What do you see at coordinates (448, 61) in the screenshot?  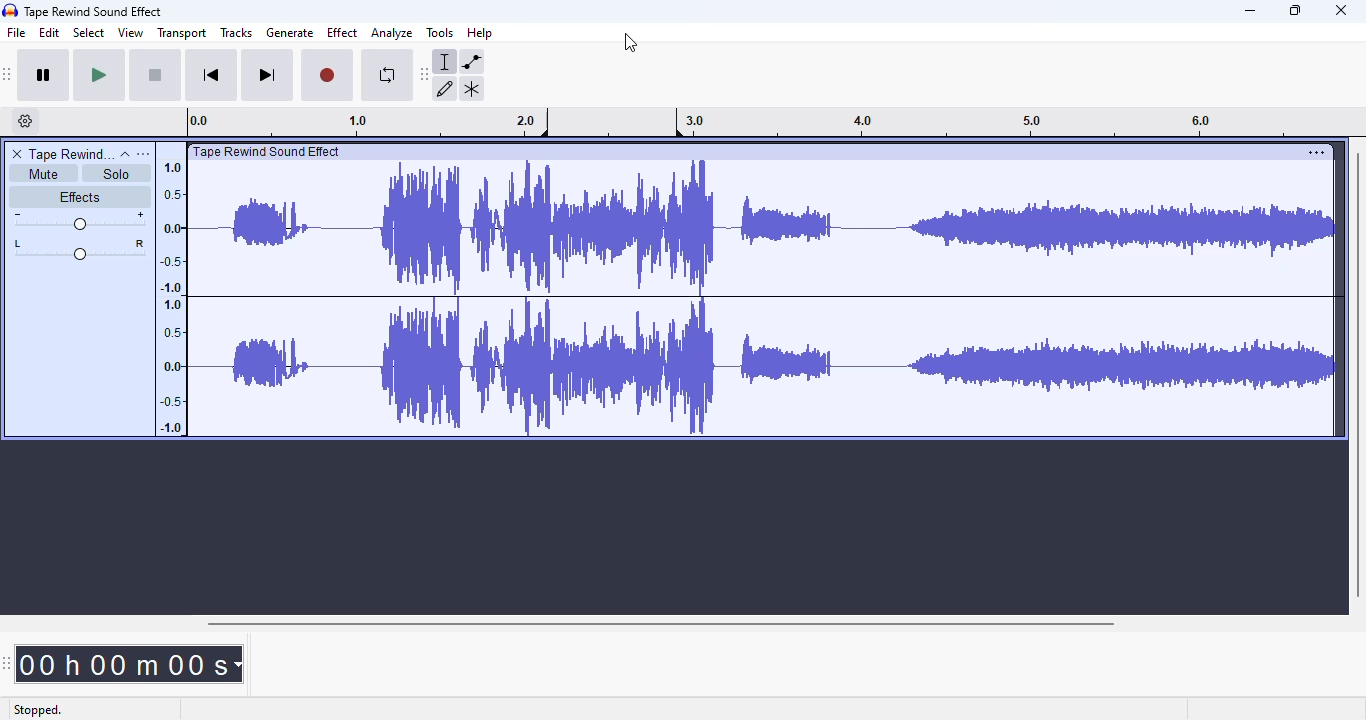 I see `selection tool` at bounding box center [448, 61].